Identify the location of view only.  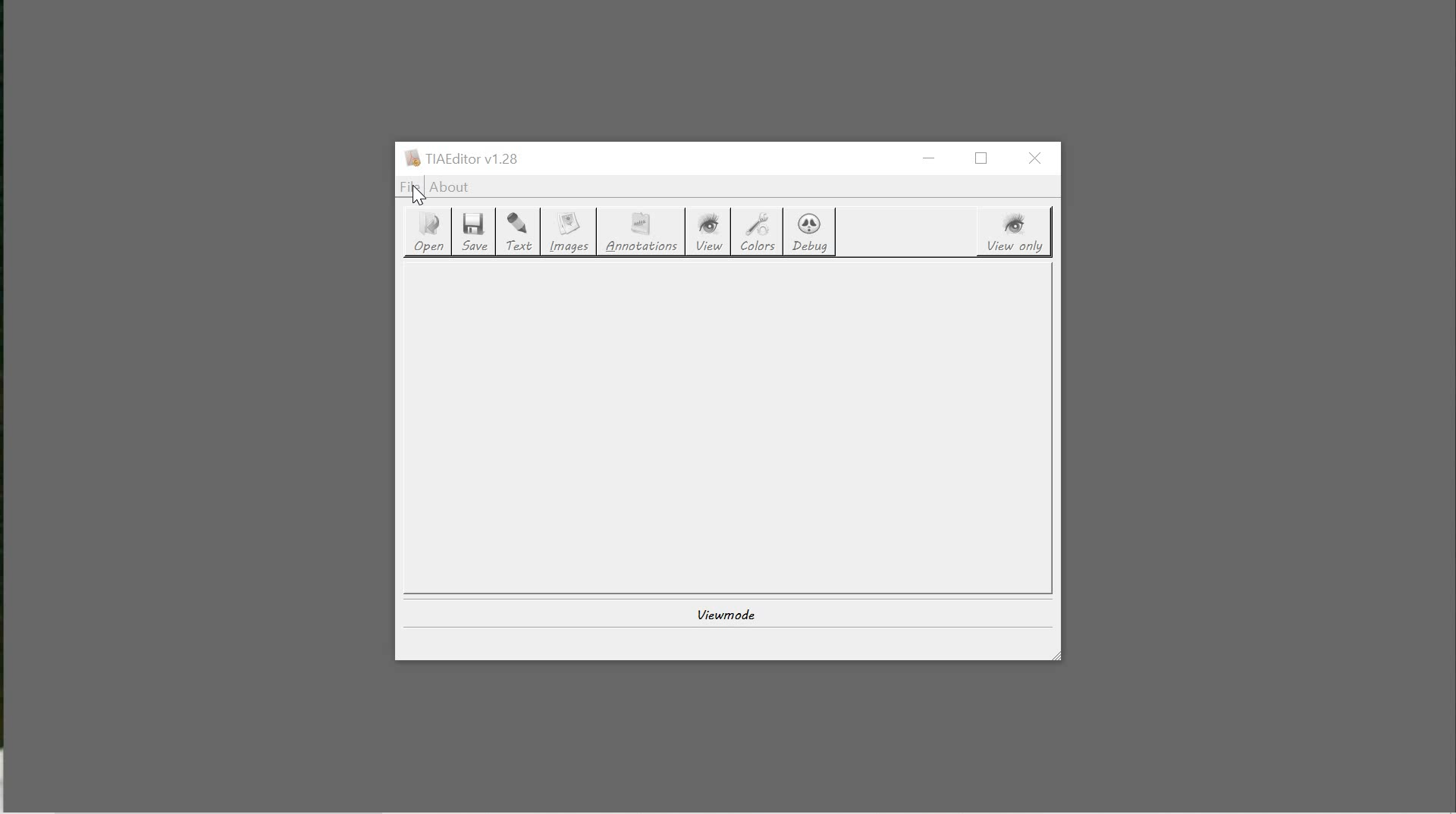
(1015, 233).